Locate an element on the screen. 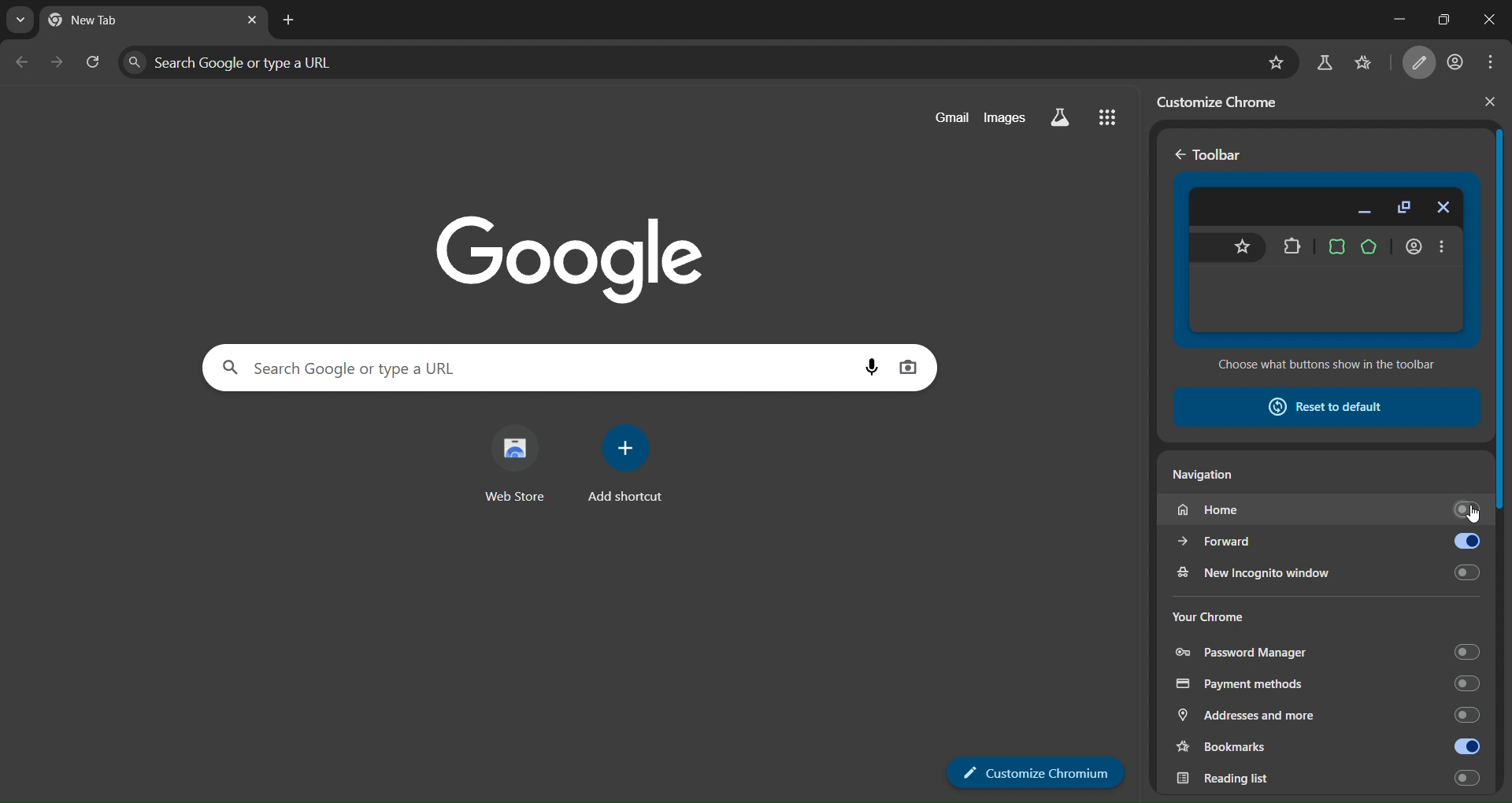  close is located at coordinates (1490, 20).